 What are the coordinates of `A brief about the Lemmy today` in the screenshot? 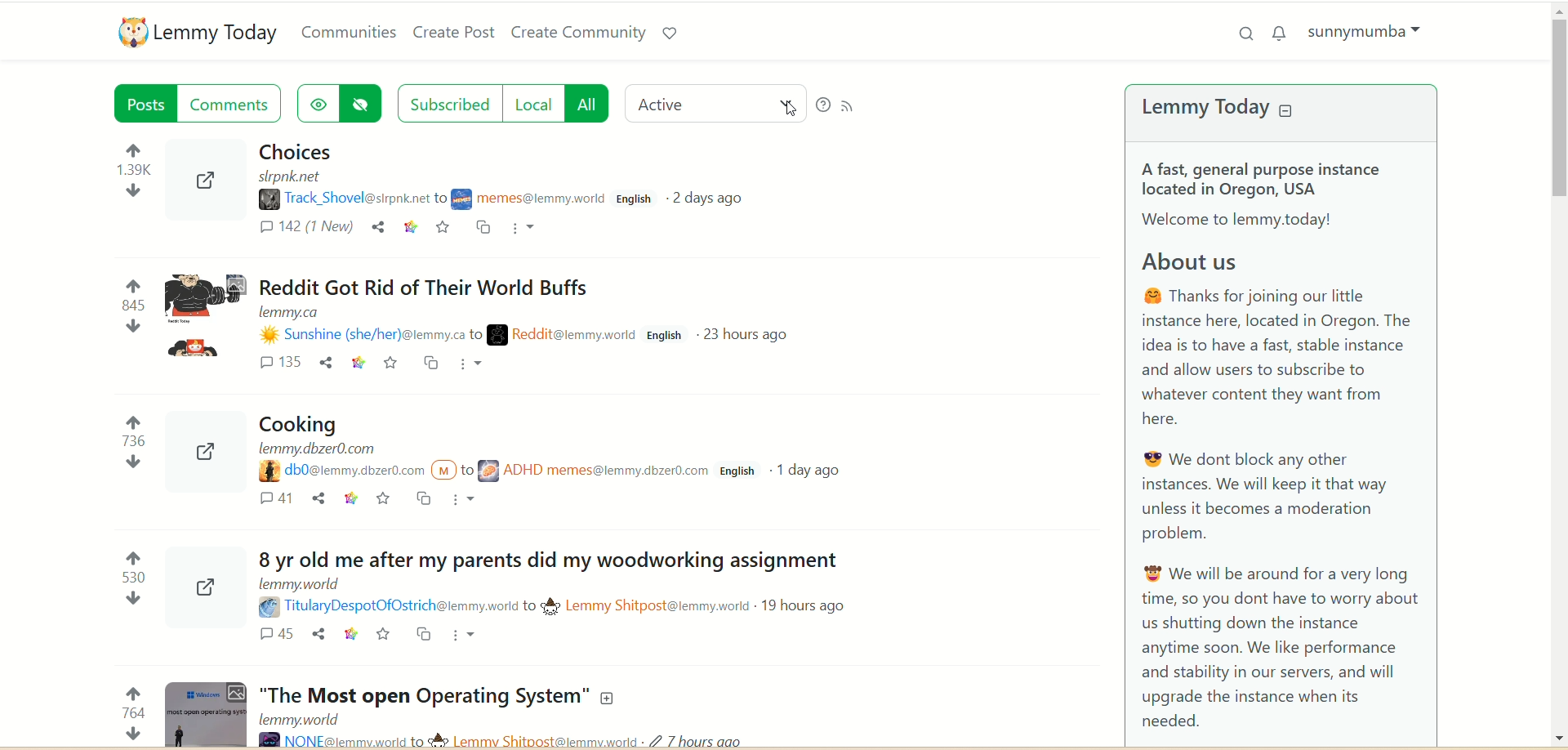 It's located at (1283, 447).